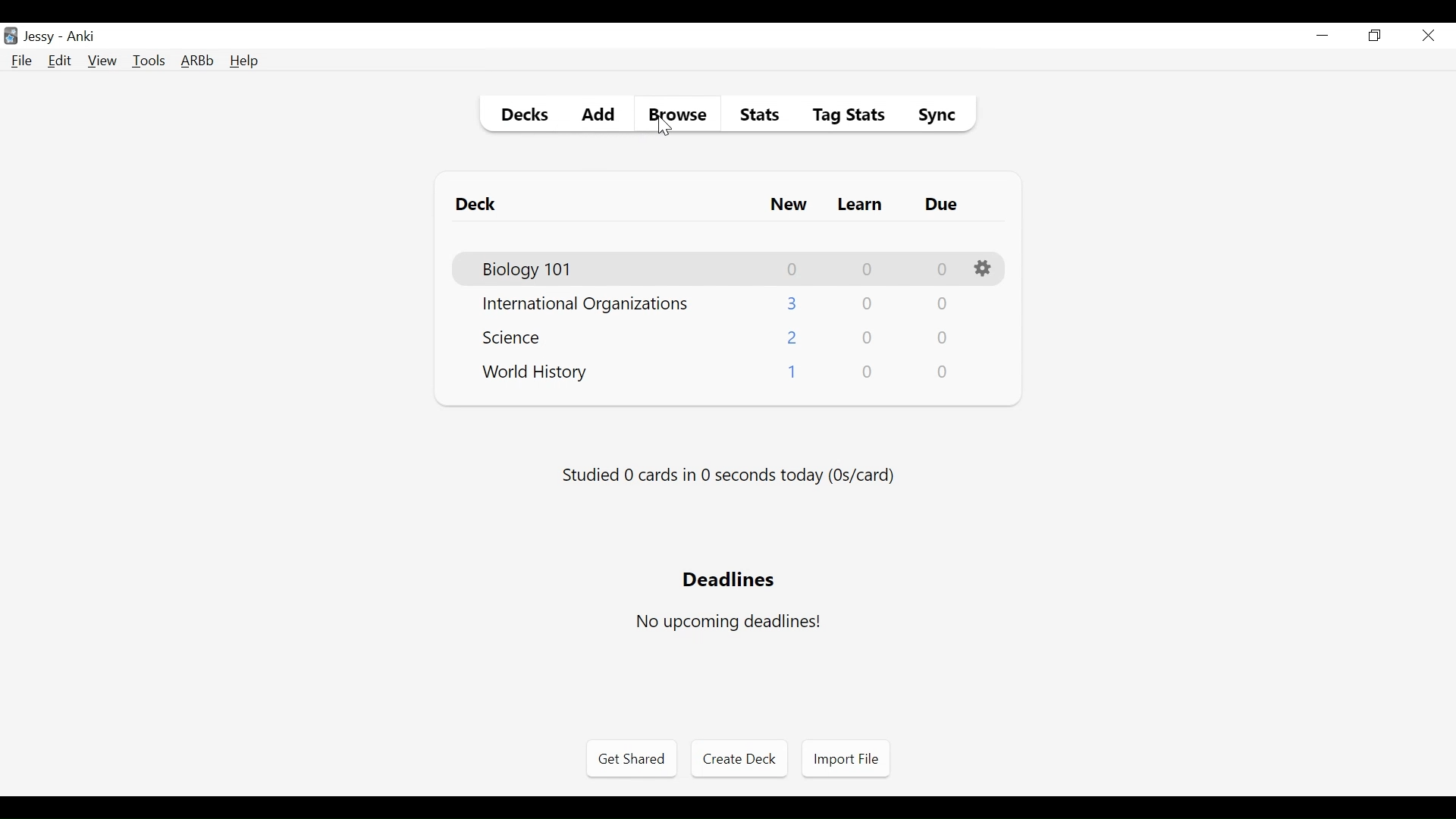  I want to click on Deck Name, so click(529, 270).